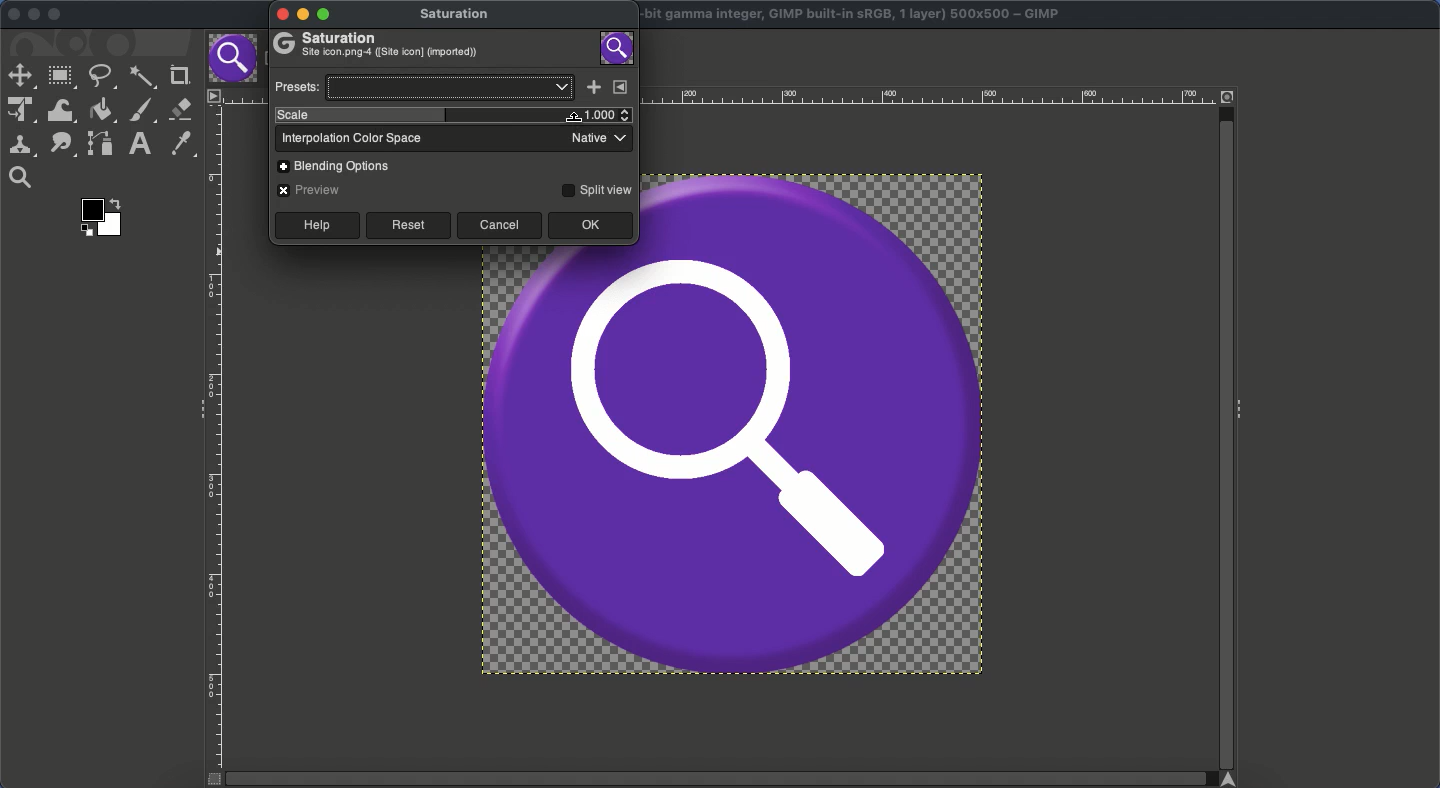 The image size is (1440, 788). Describe the element at coordinates (378, 46) in the screenshot. I see `Saturation` at that location.